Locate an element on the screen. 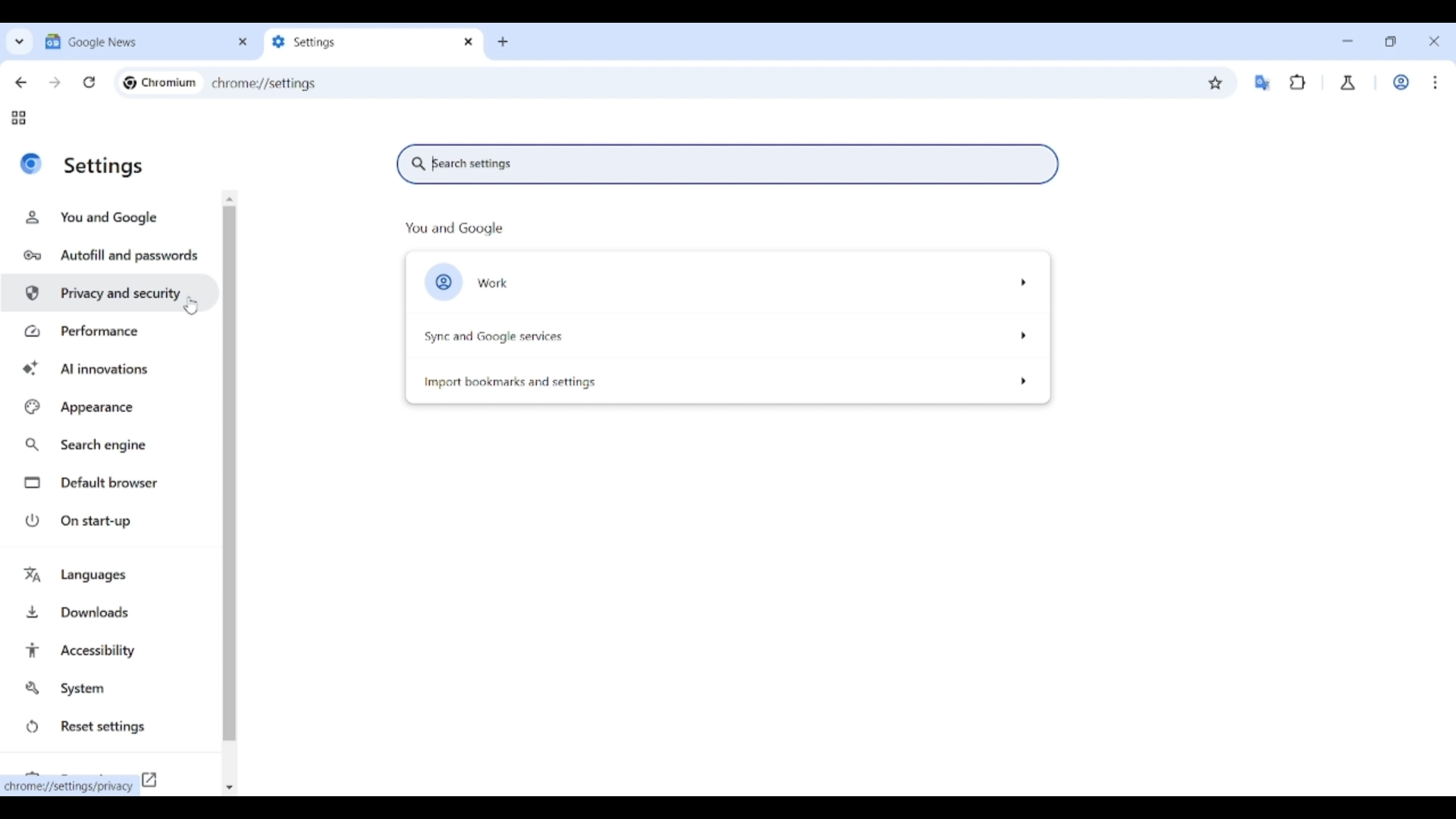  Sync and Google services option is located at coordinates (727, 337).